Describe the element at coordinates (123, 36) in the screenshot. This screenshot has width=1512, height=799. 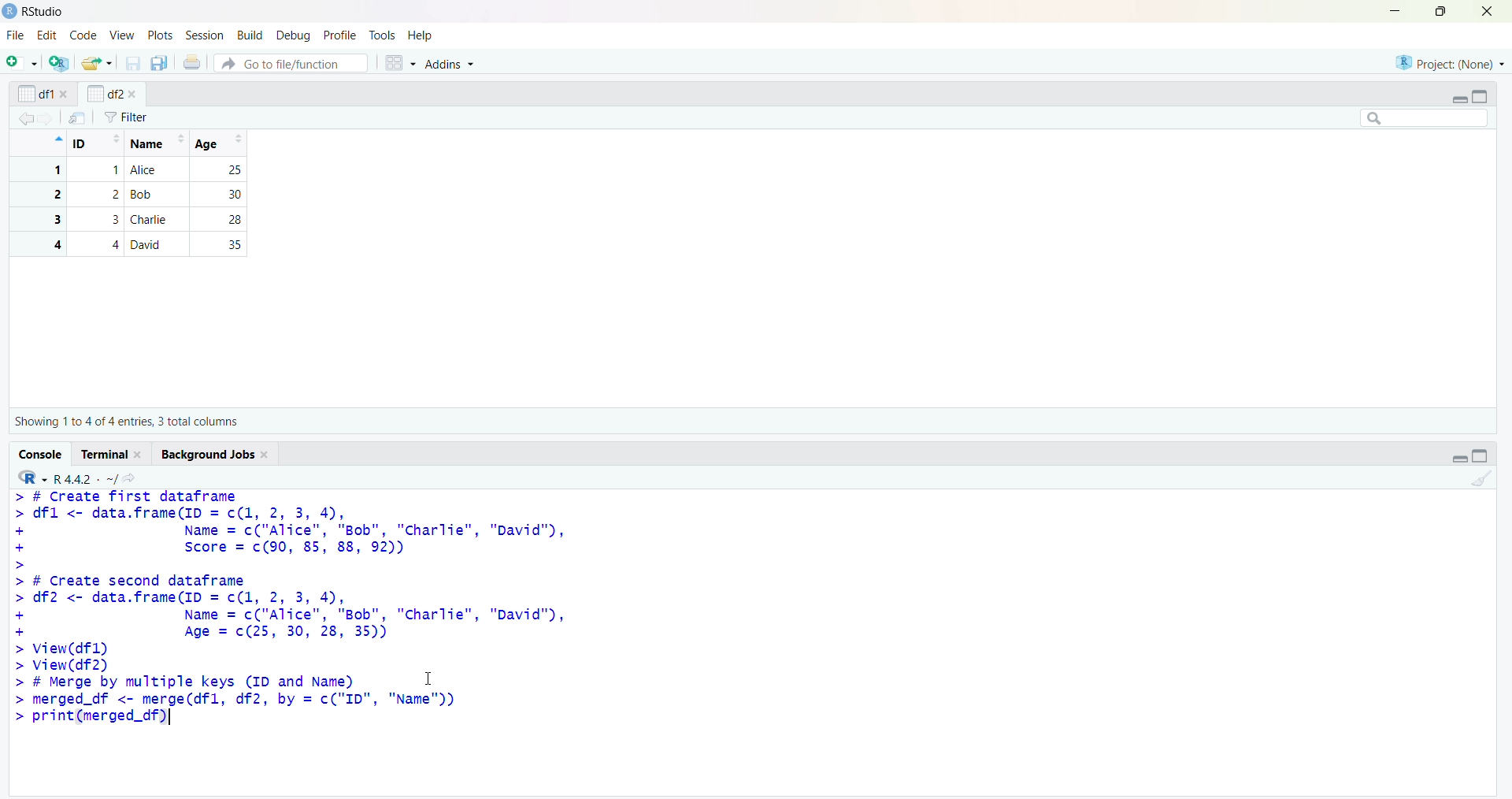
I see `view` at that location.